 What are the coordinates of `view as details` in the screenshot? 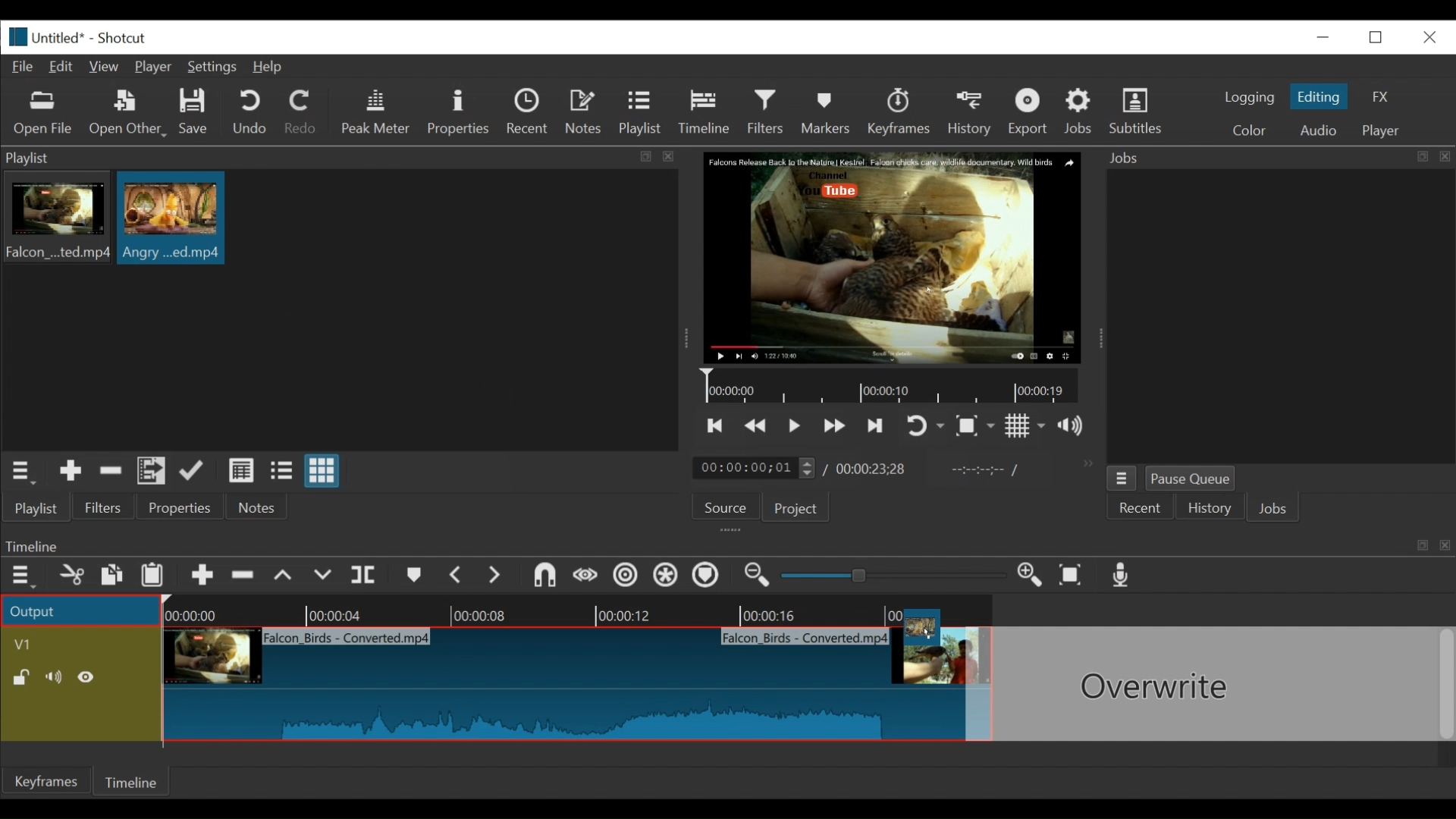 It's located at (242, 470).